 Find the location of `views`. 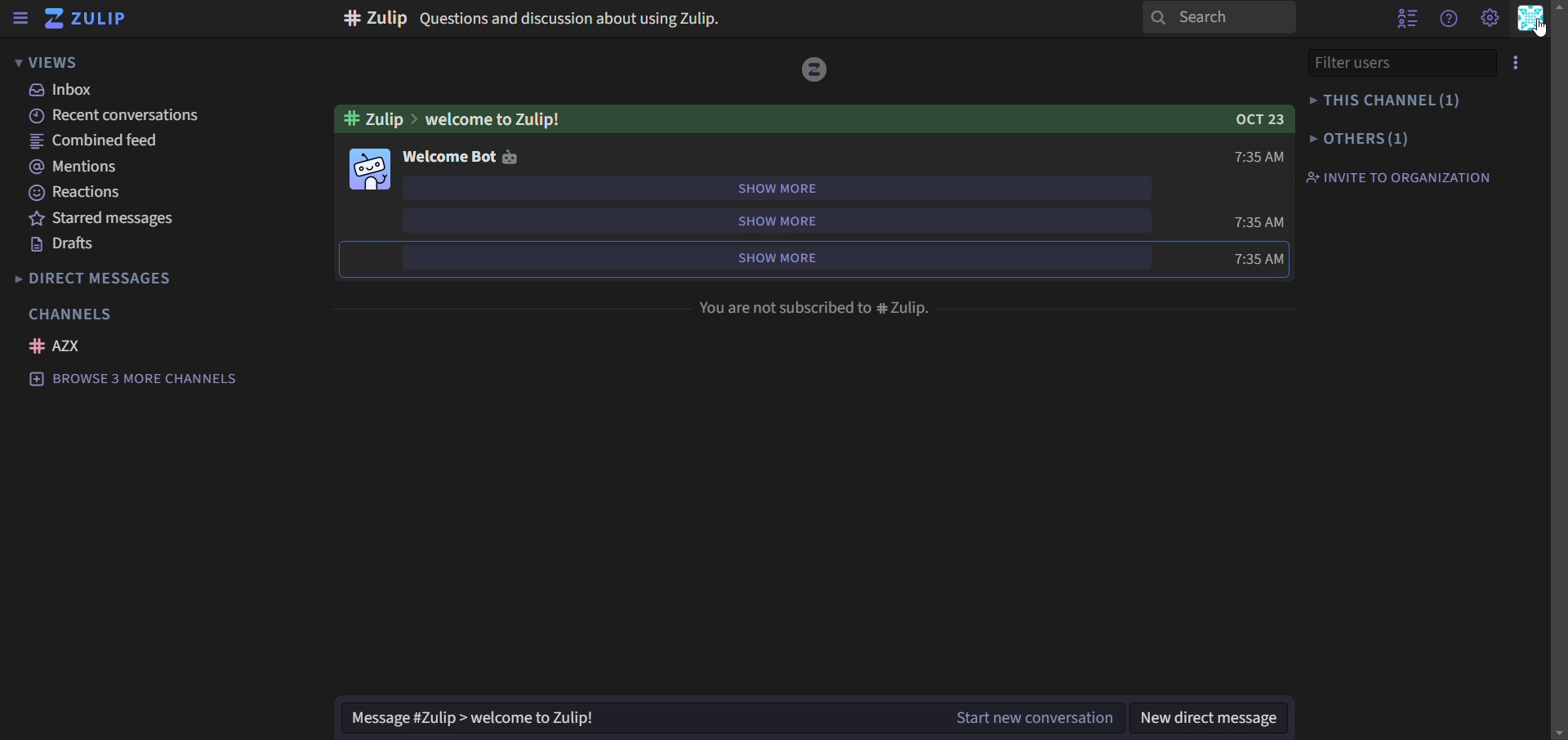

views is located at coordinates (62, 64).